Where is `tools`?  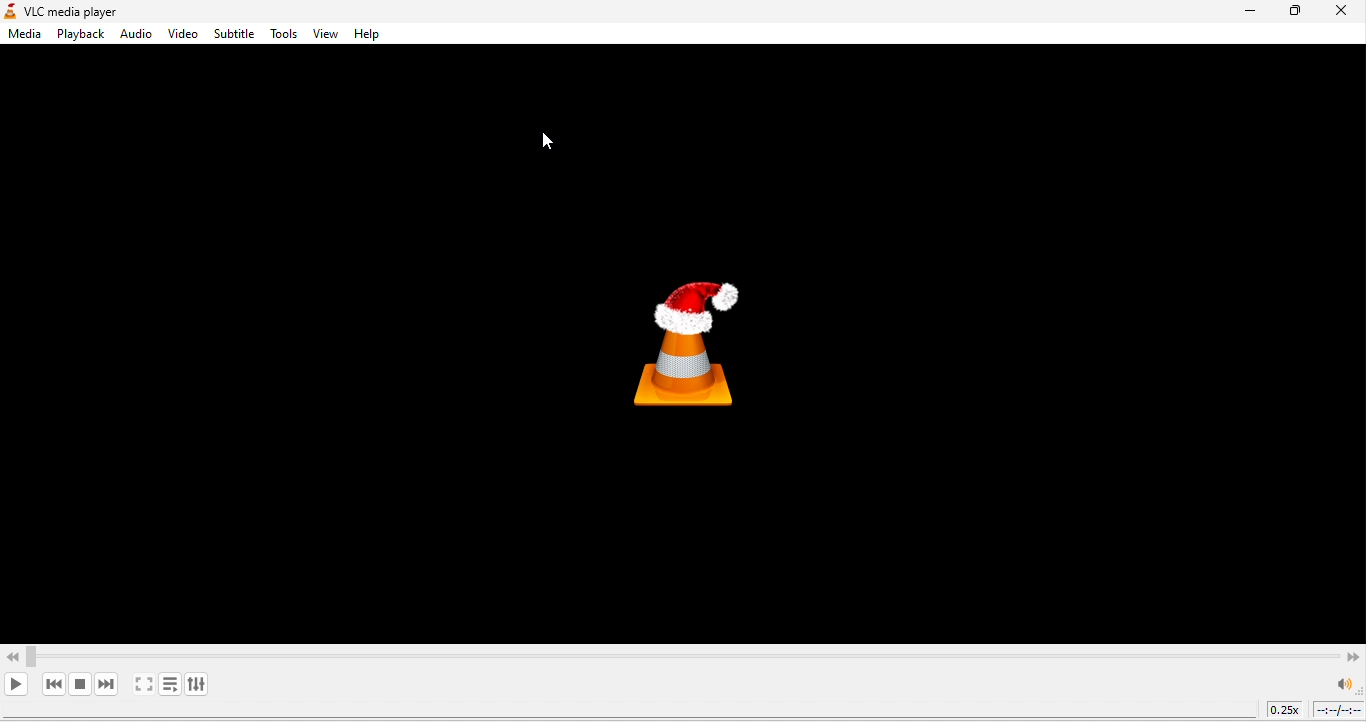
tools is located at coordinates (282, 35).